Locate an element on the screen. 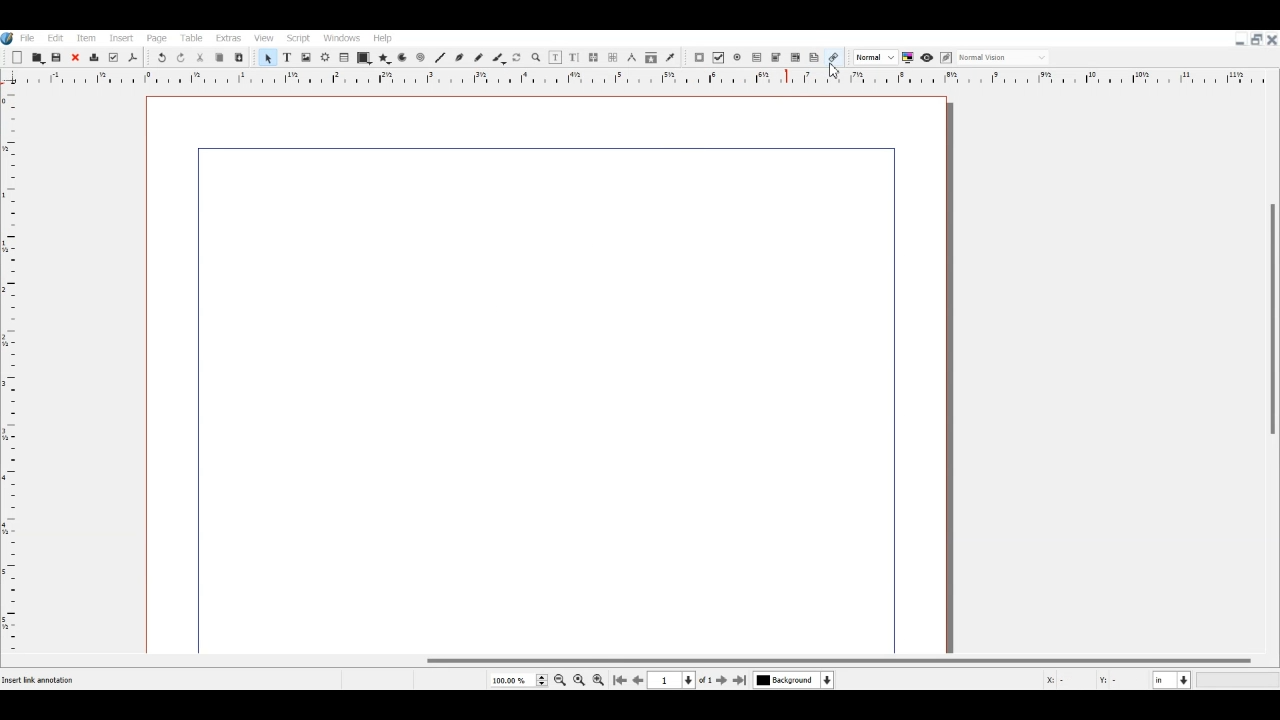 The height and width of the screenshot is (720, 1280). Polygon is located at coordinates (384, 58).